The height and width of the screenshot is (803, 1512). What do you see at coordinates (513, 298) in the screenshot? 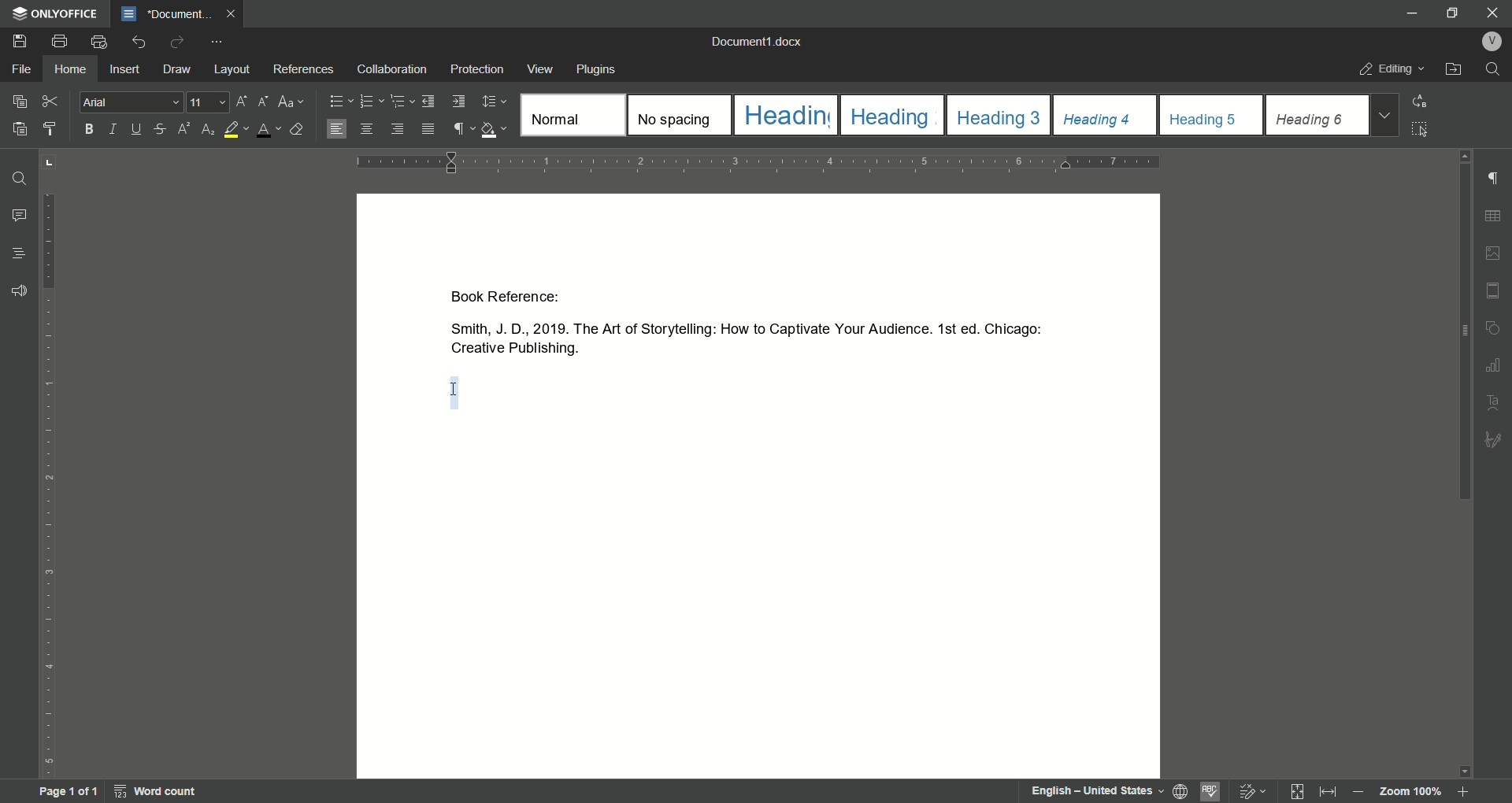
I see `Book Reference:` at bounding box center [513, 298].